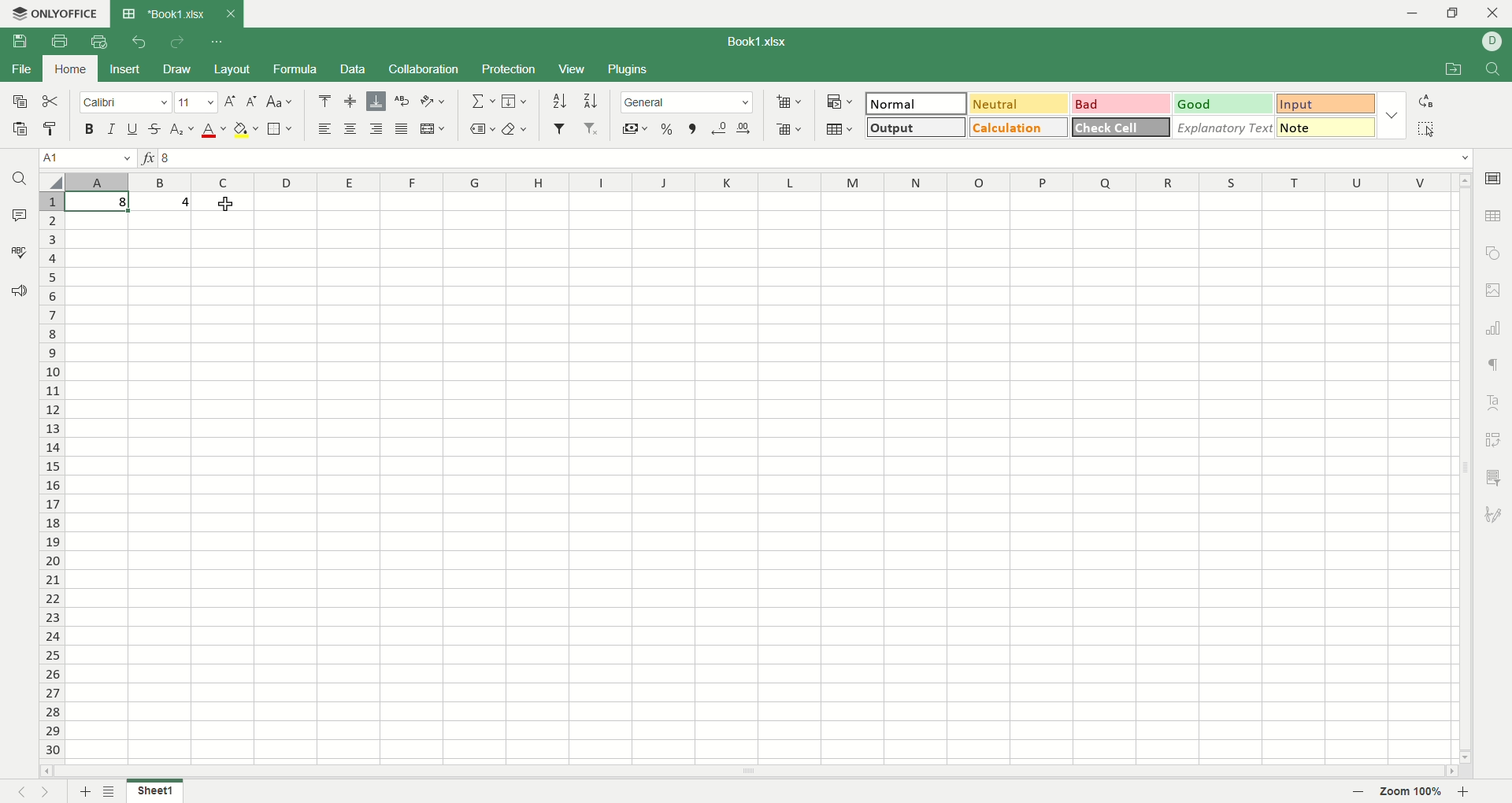 Image resolution: width=1512 pixels, height=803 pixels. I want to click on strikethrough, so click(157, 129).